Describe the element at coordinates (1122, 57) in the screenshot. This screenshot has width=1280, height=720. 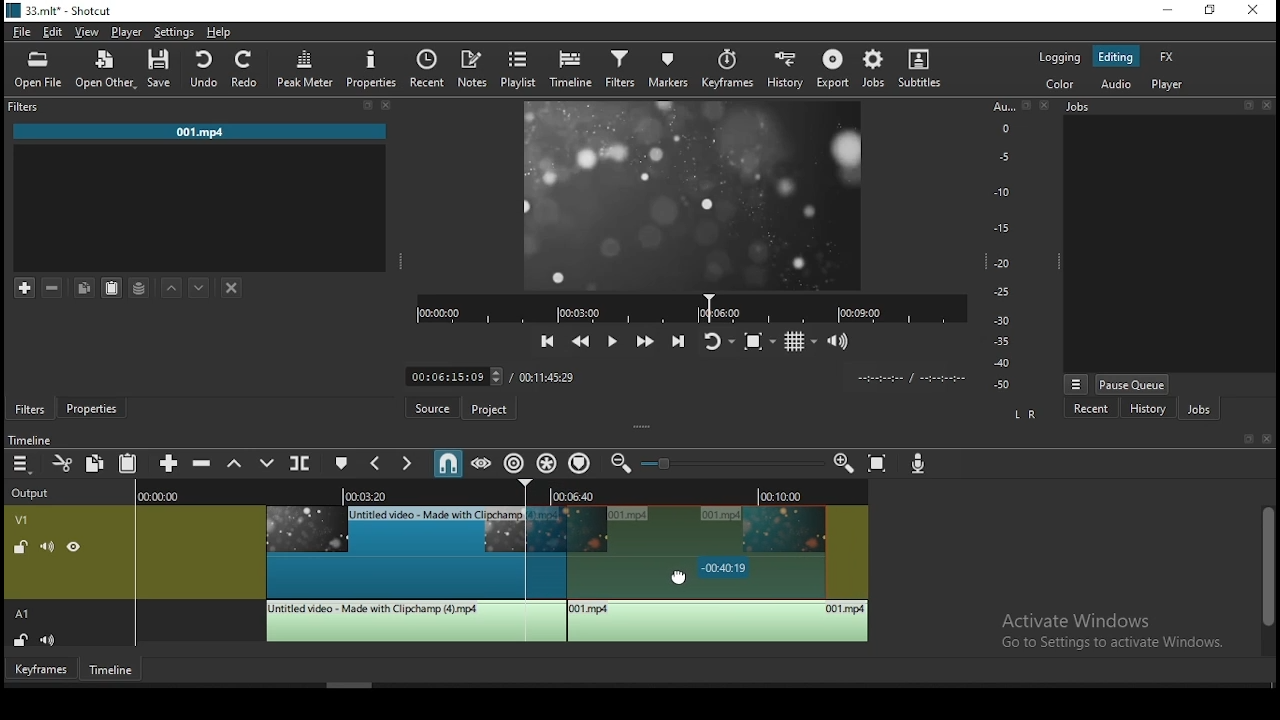
I see `editing` at that location.